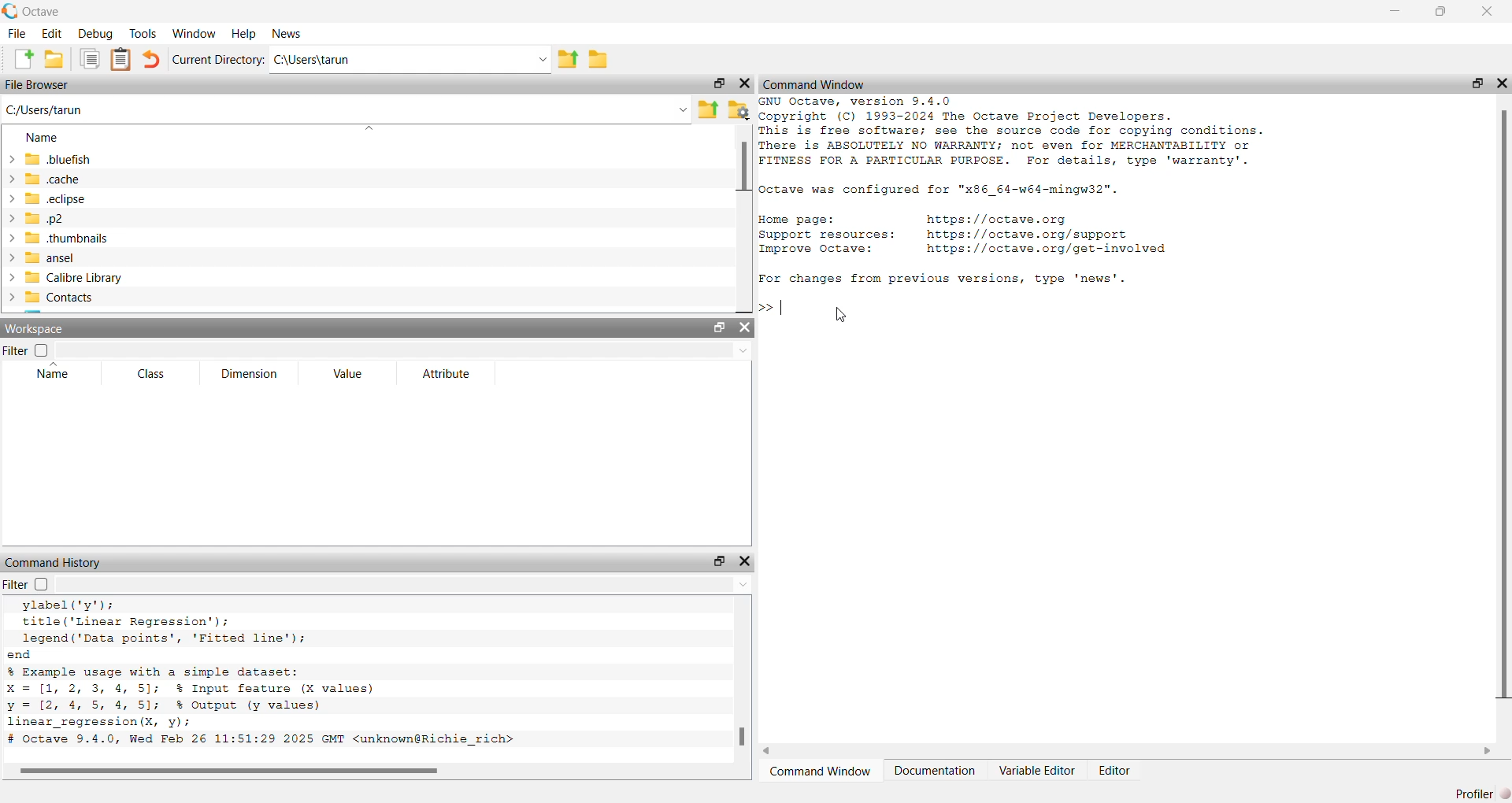 This screenshot has width=1512, height=803. What do you see at coordinates (1503, 81) in the screenshot?
I see `hide widget` at bounding box center [1503, 81].